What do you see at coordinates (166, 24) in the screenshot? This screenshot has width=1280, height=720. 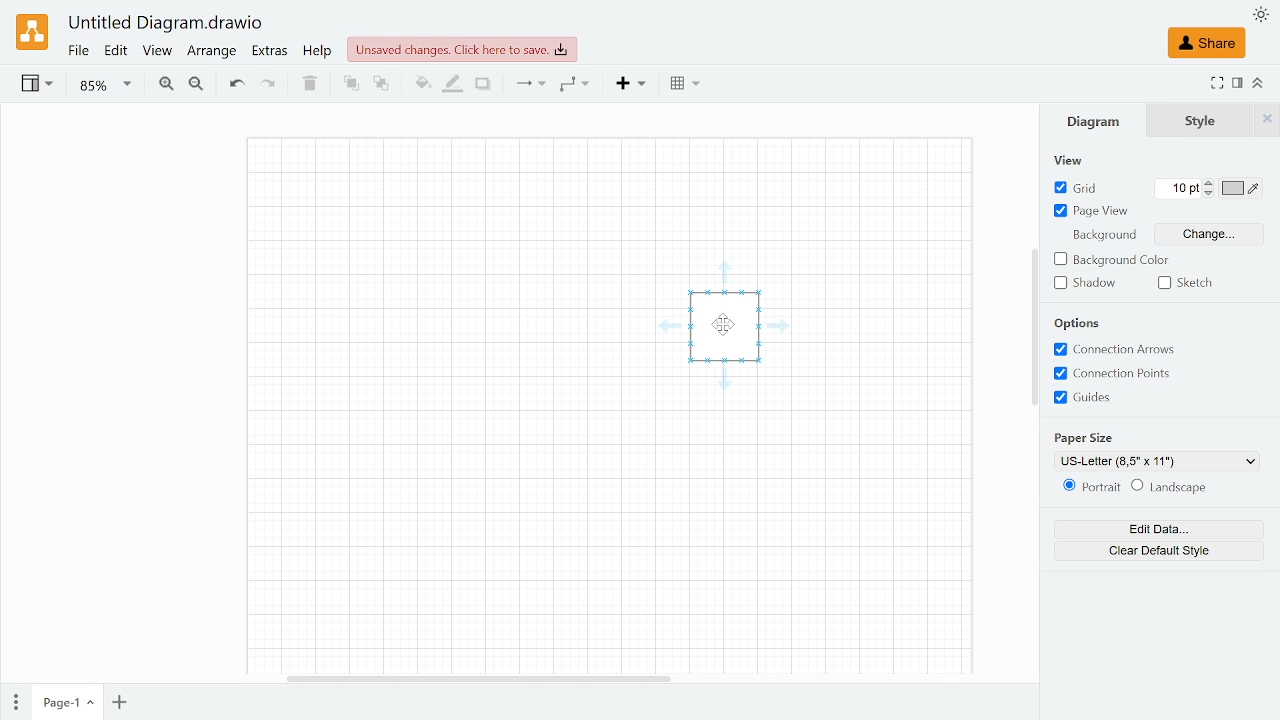 I see `Untitled Diagram.drawio` at bounding box center [166, 24].